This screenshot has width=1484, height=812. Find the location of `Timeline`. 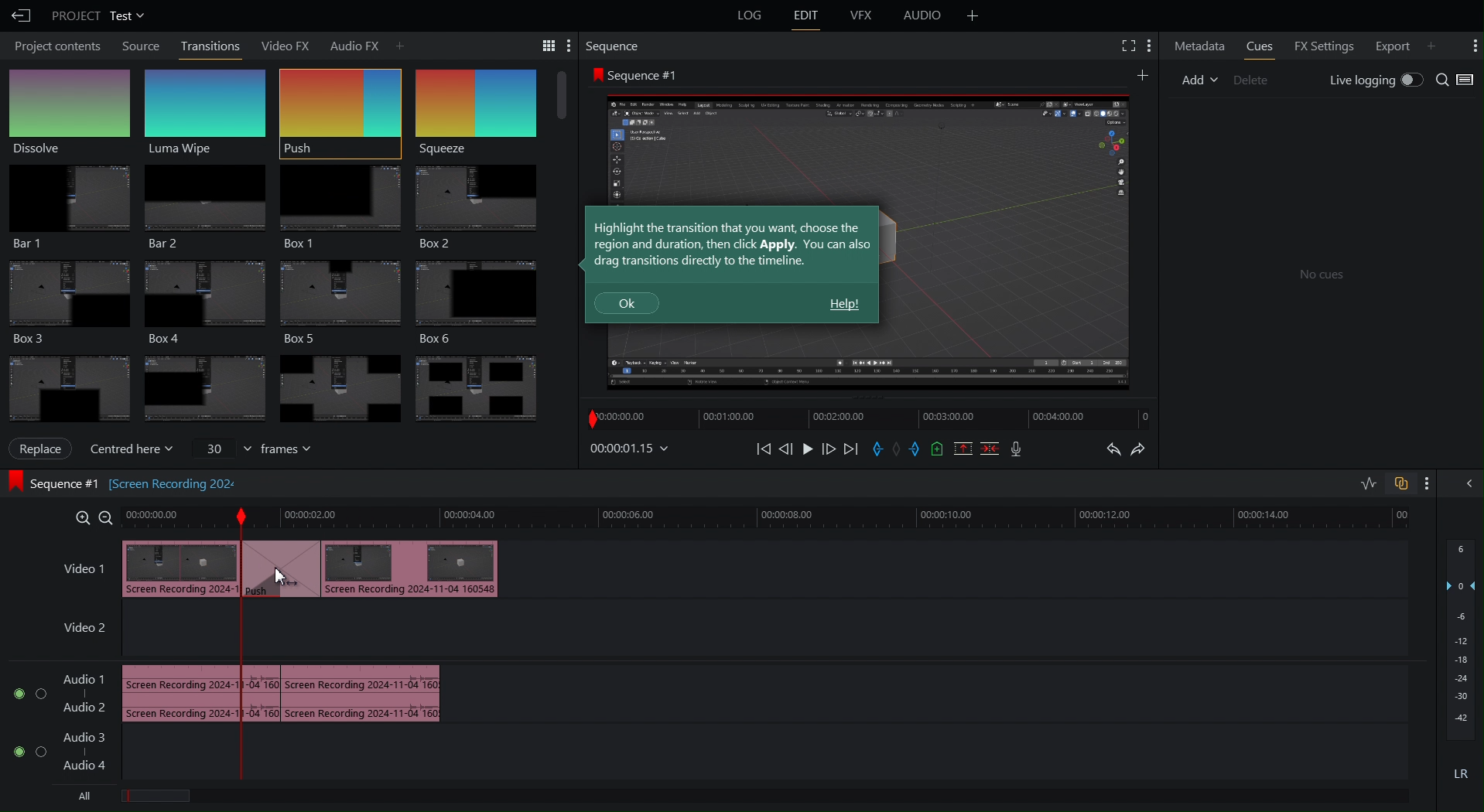

Timeline is located at coordinates (774, 517).